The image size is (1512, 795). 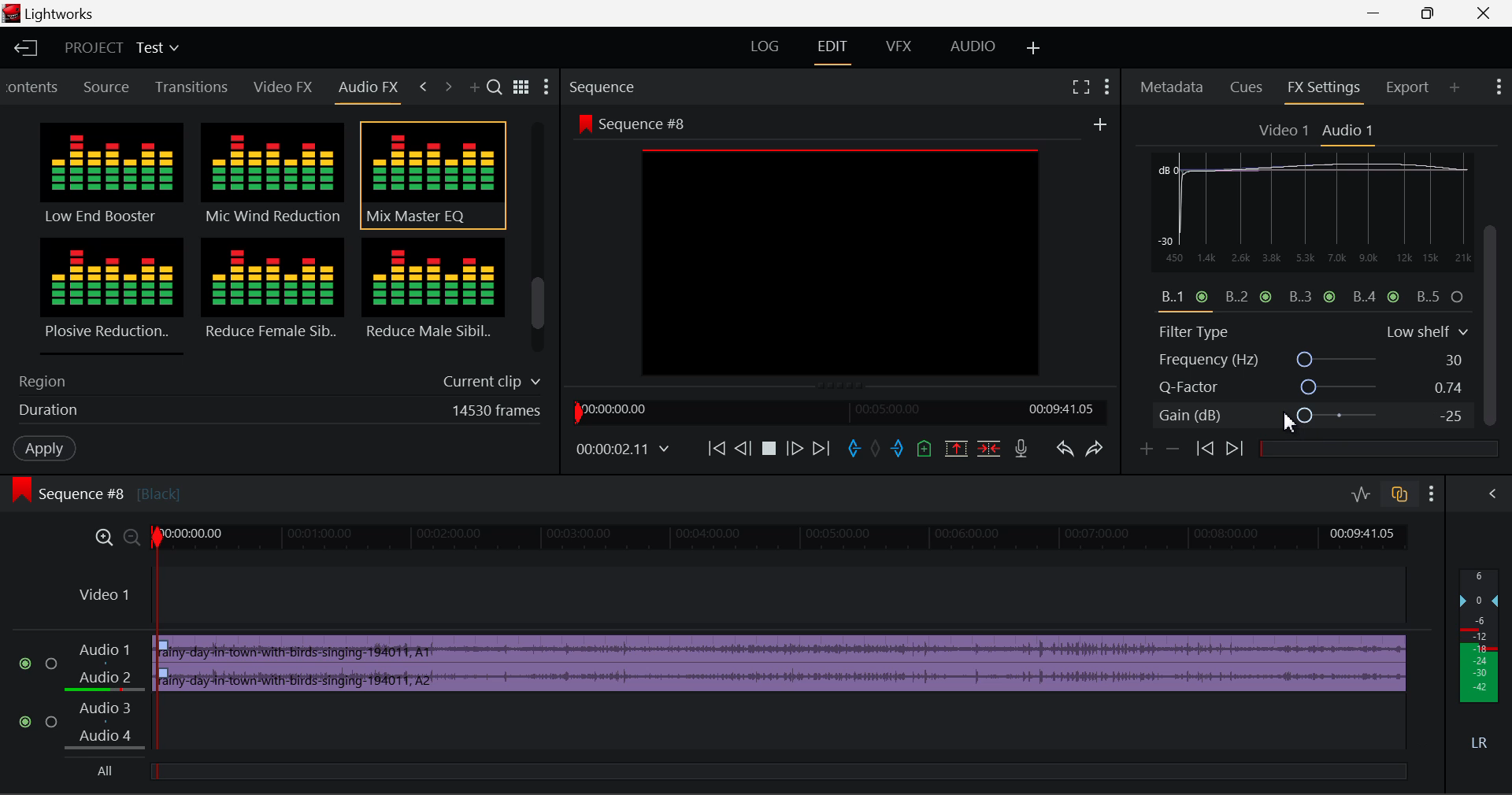 What do you see at coordinates (1490, 494) in the screenshot?
I see `Show Audio Mix` at bounding box center [1490, 494].